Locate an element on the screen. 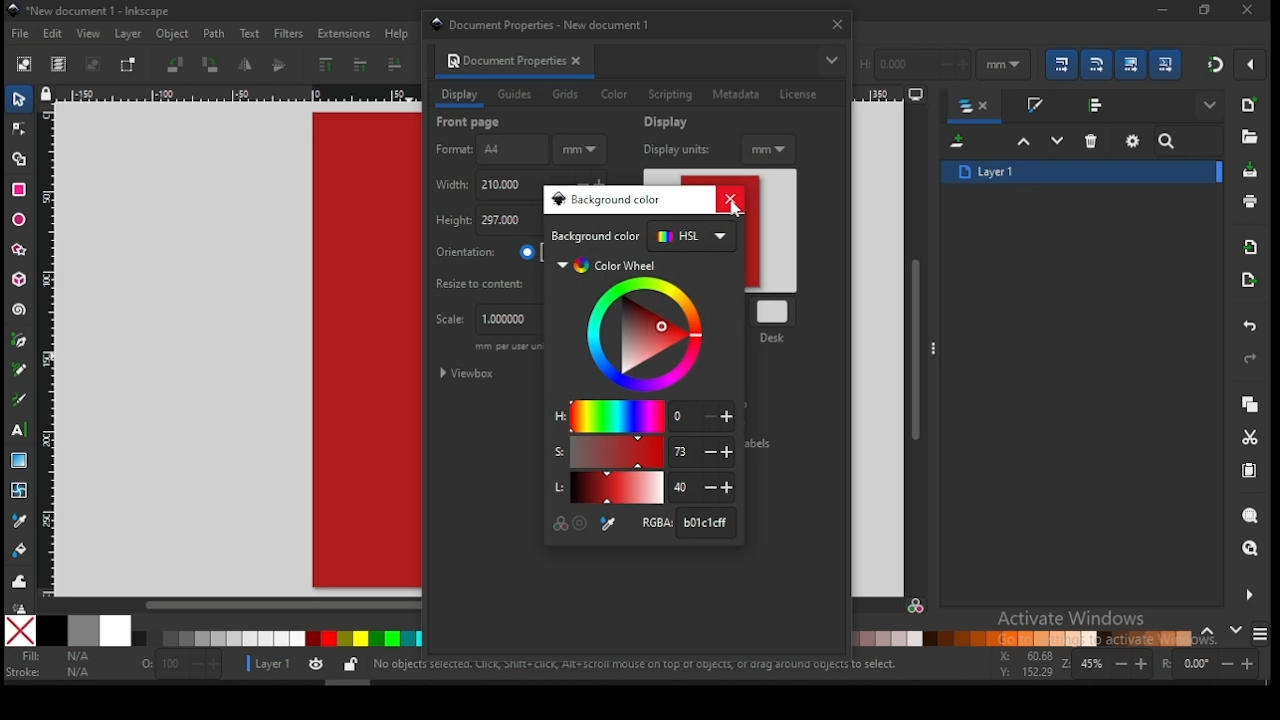 The height and width of the screenshot is (720, 1280). display is located at coordinates (669, 122).